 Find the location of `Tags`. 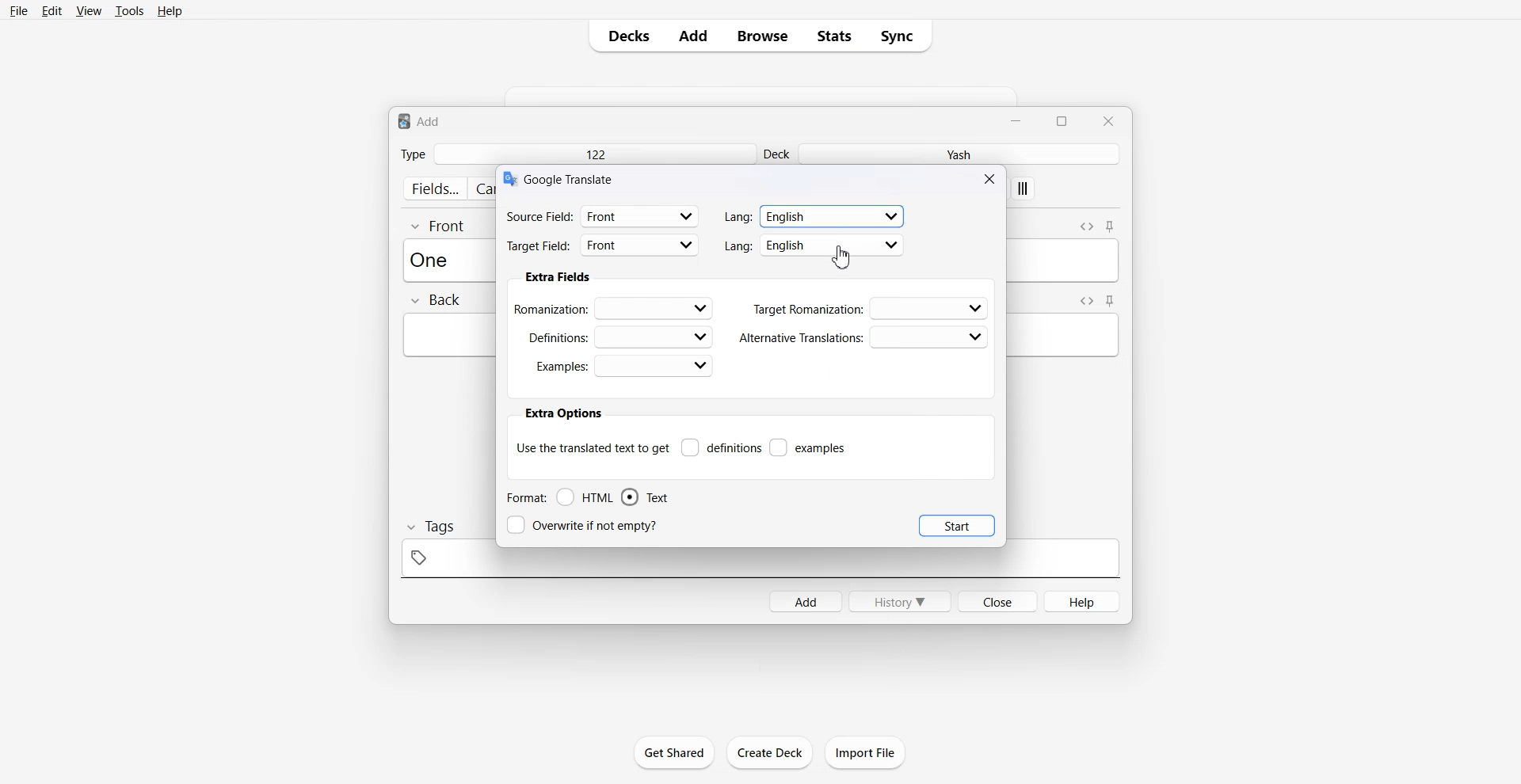

Tags is located at coordinates (429, 527).